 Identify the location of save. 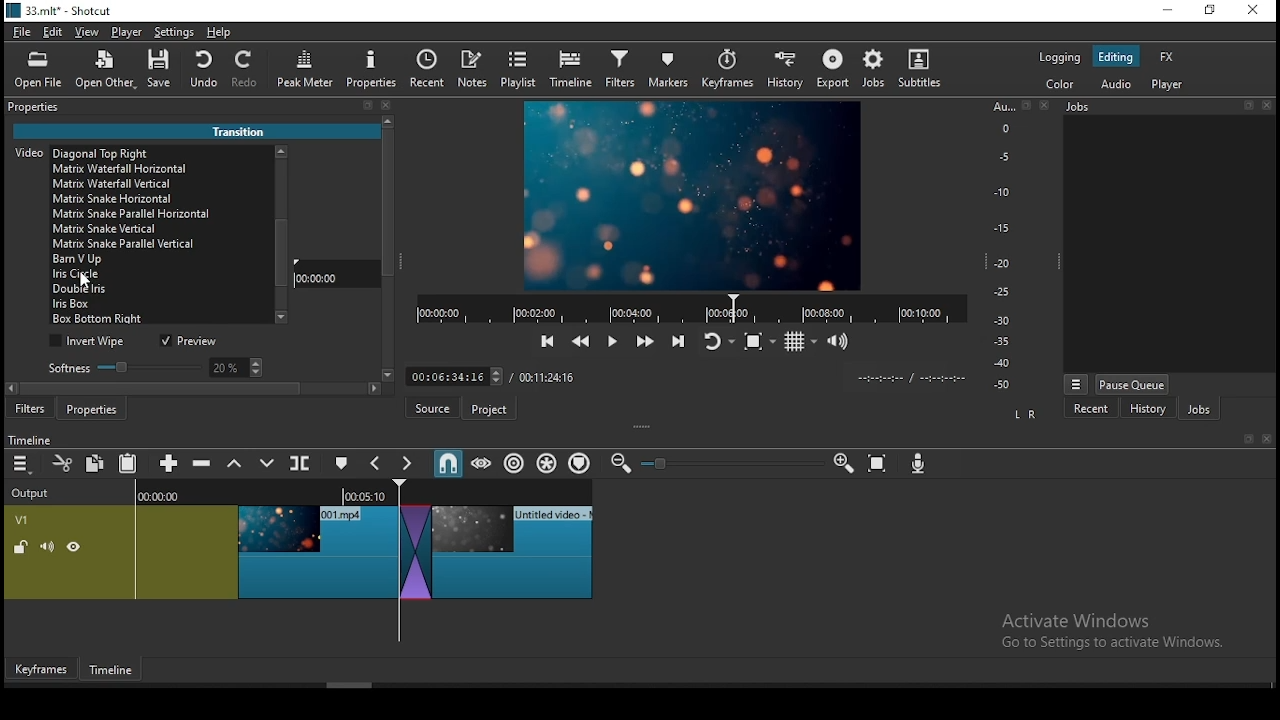
(163, 72).